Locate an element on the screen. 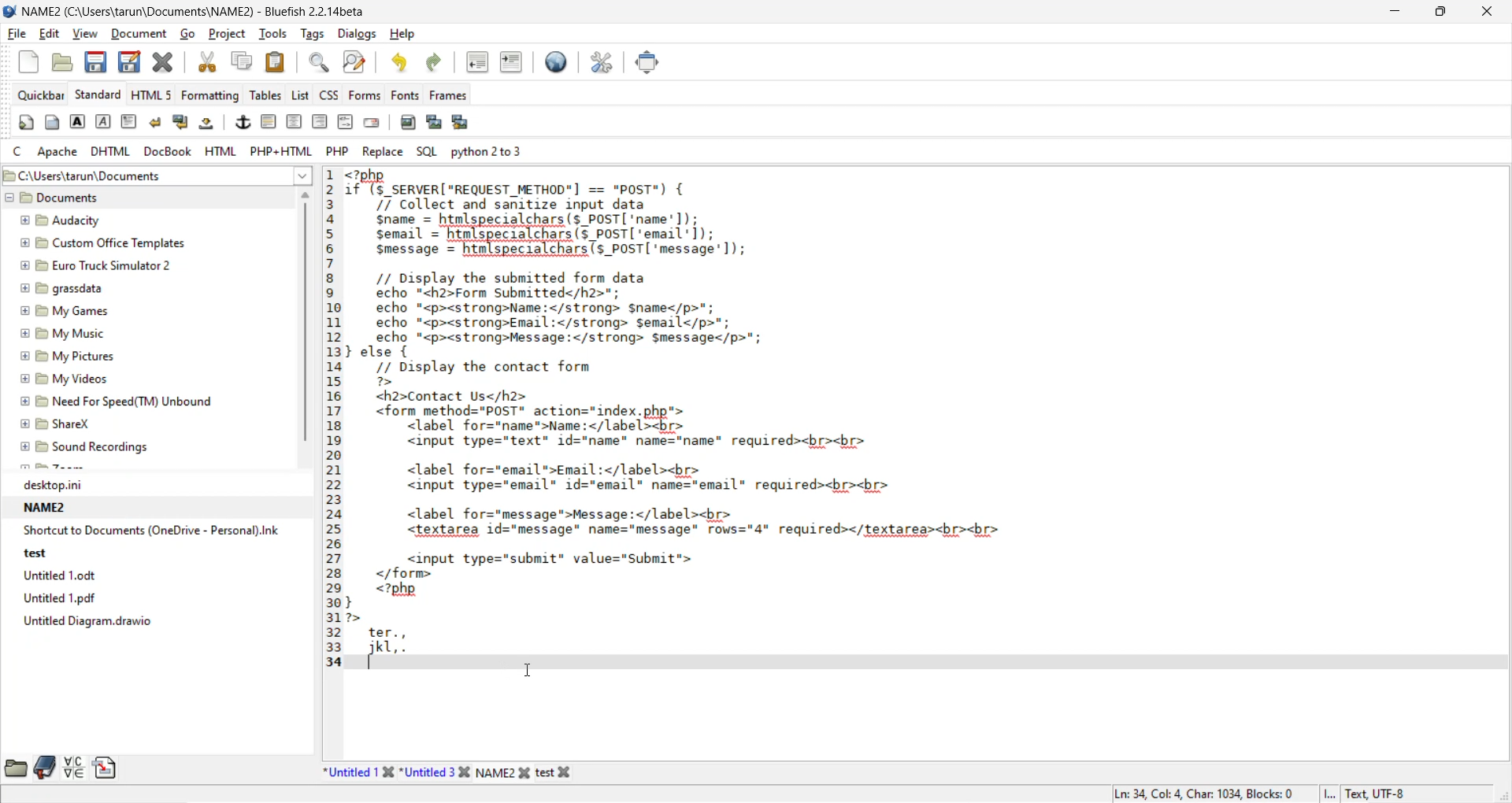 This screenshot has width=1512, height=803. file path is located at coordinates (159, 174).